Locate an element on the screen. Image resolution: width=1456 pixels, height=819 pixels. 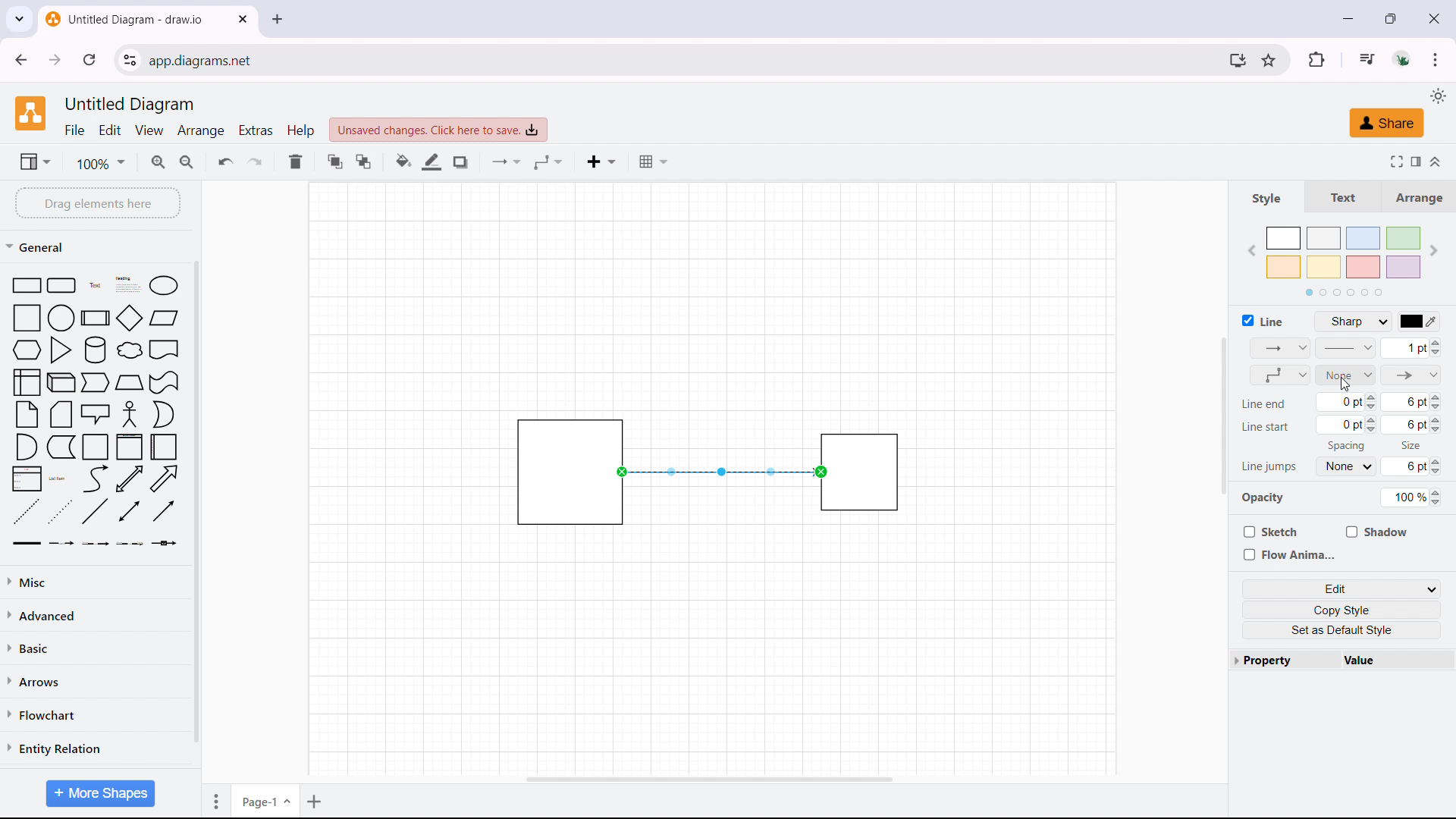
conncetion is located at coordinates (507, 162).